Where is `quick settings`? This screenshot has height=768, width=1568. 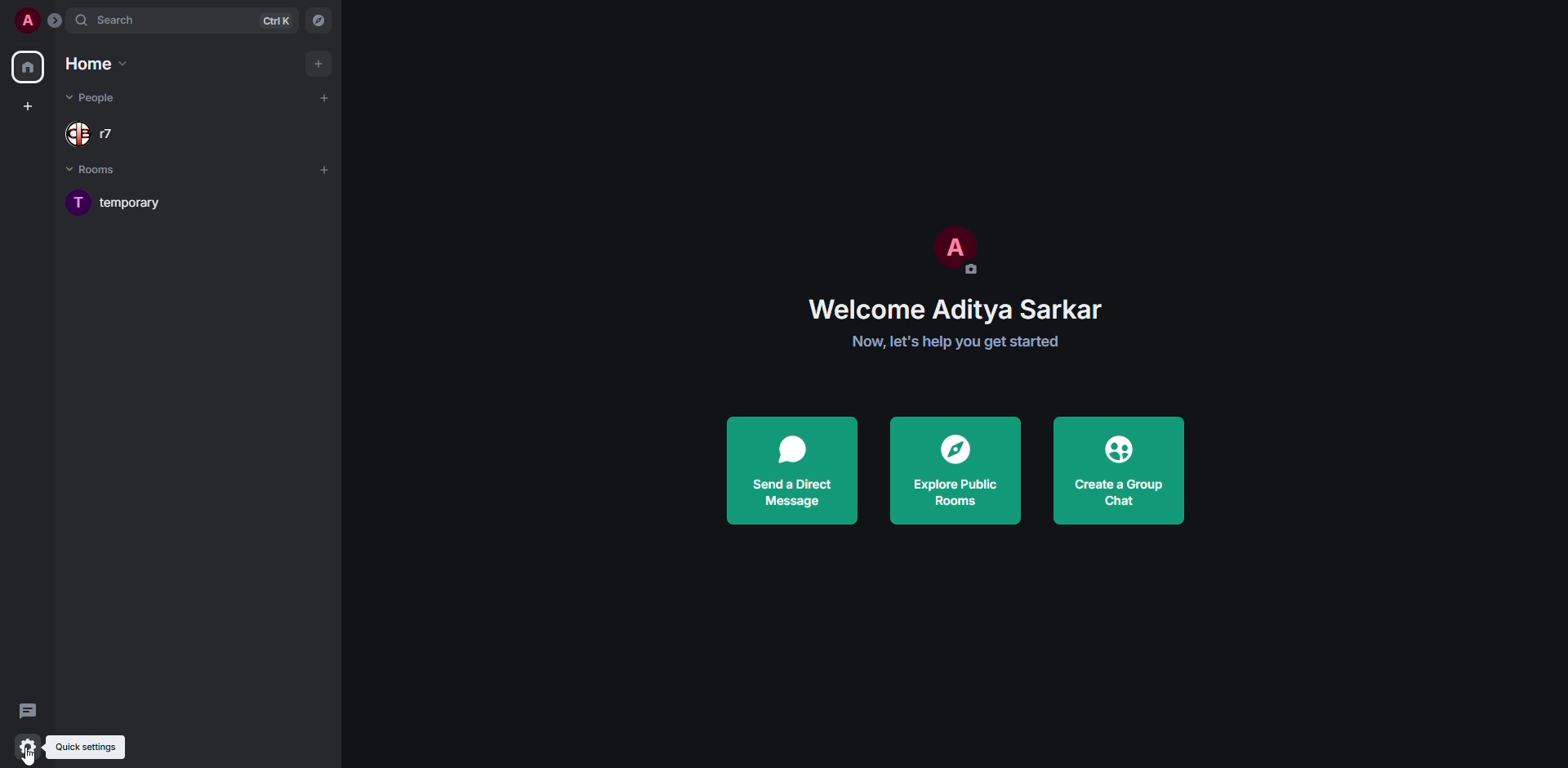
quick settings is located at coordinates (89, 747).